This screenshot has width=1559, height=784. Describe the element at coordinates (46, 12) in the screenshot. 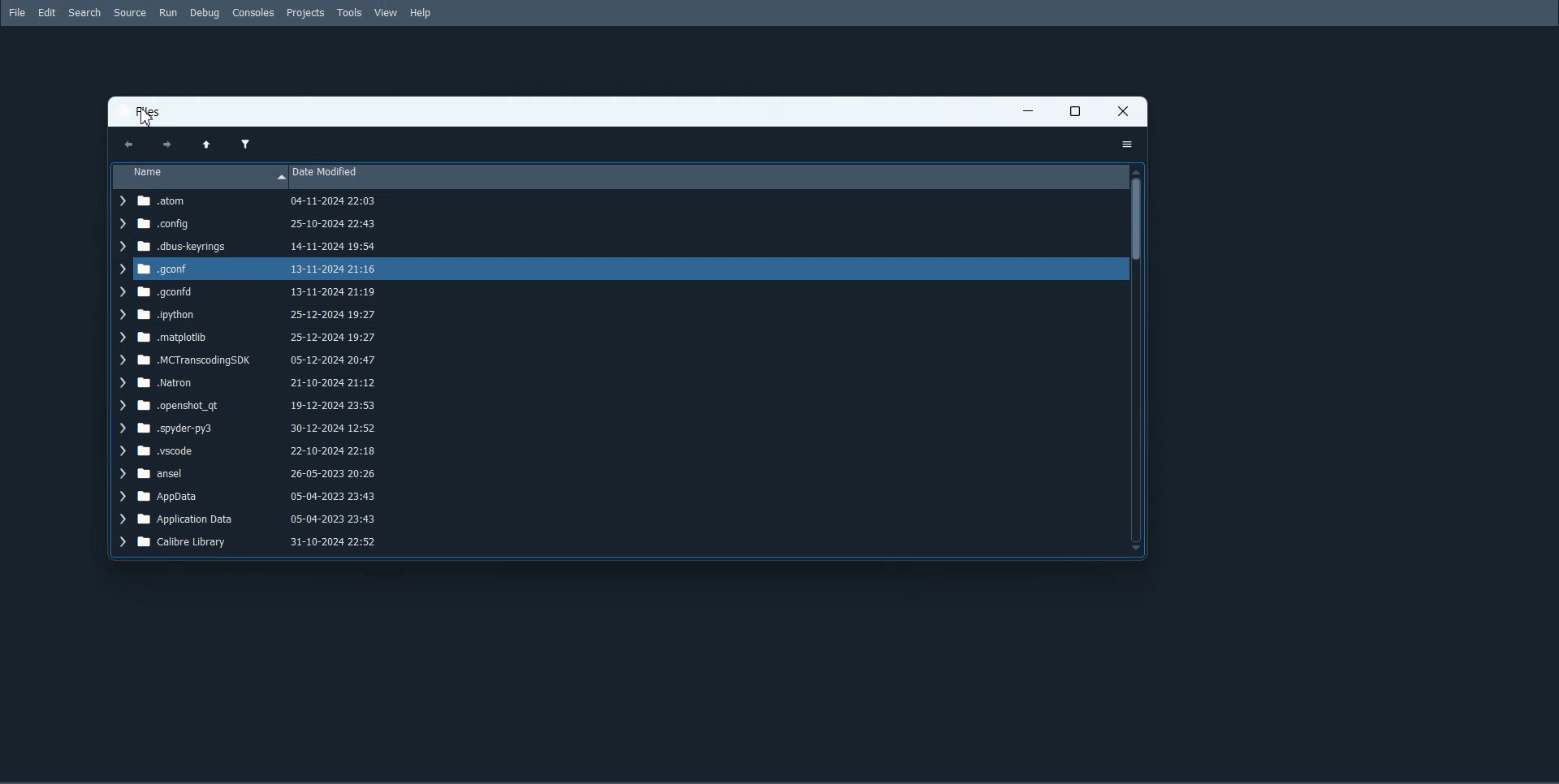

I see `Edit` at that location.